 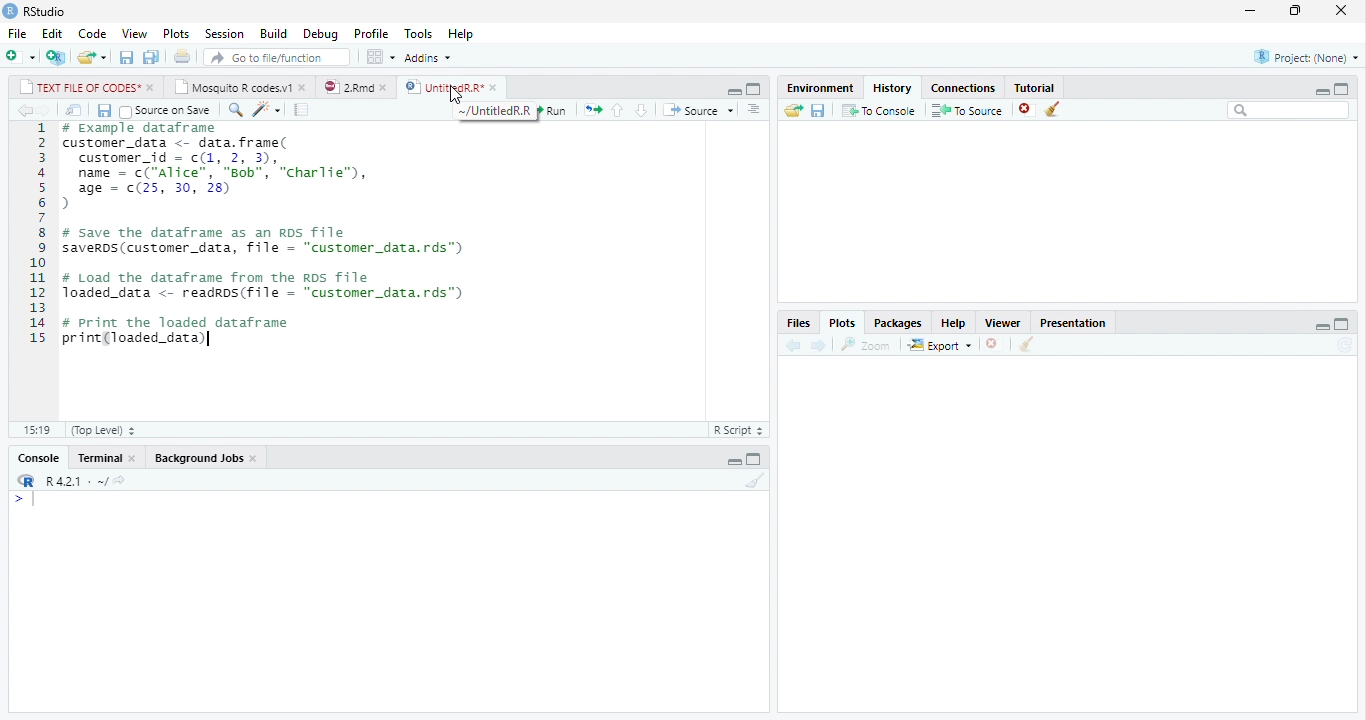 What do you see at coordinates (181, 56) in the screenshot?
I see `print` at bounding box center [181, 56].